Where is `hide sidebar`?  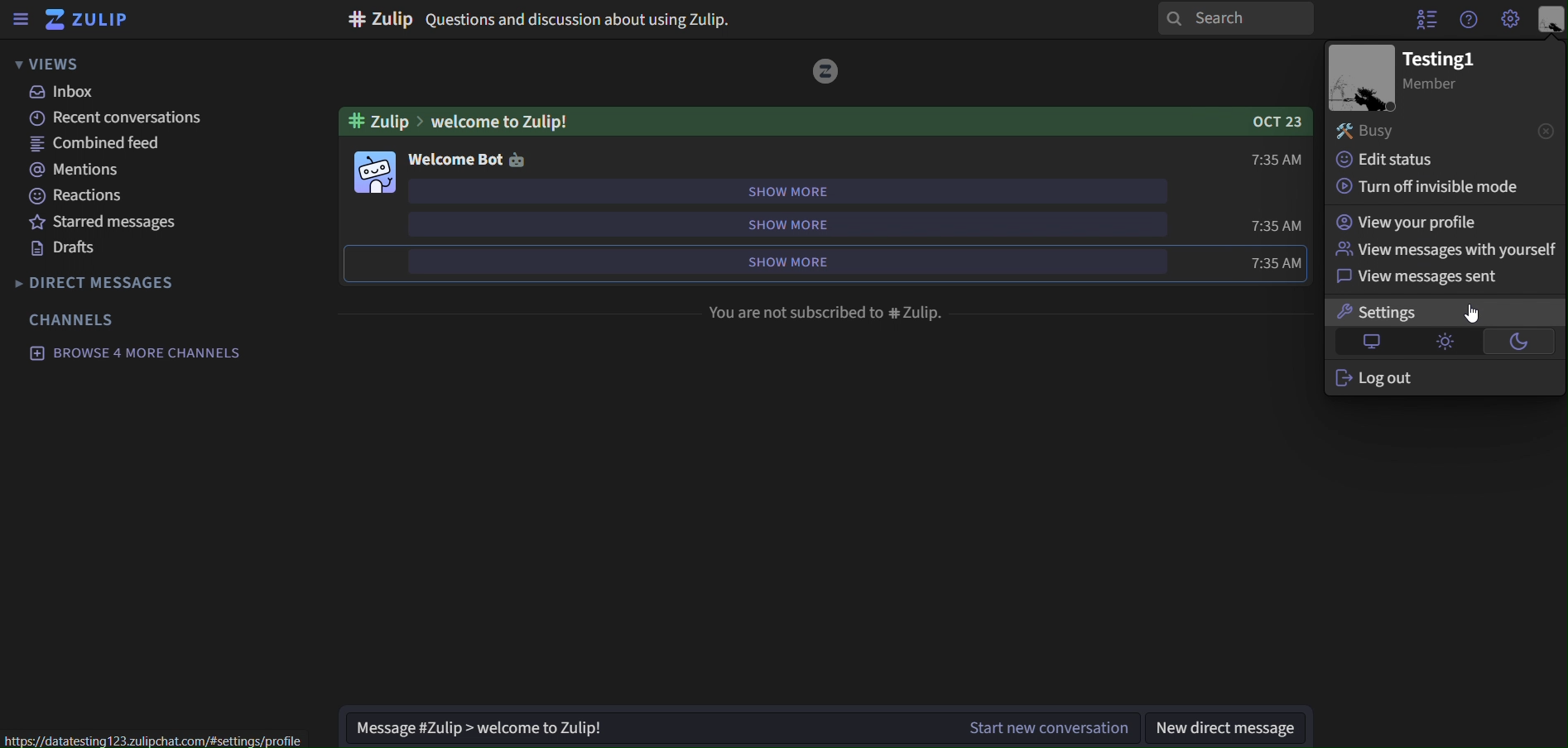
hide sidebar is located at coordinates (23, 19).